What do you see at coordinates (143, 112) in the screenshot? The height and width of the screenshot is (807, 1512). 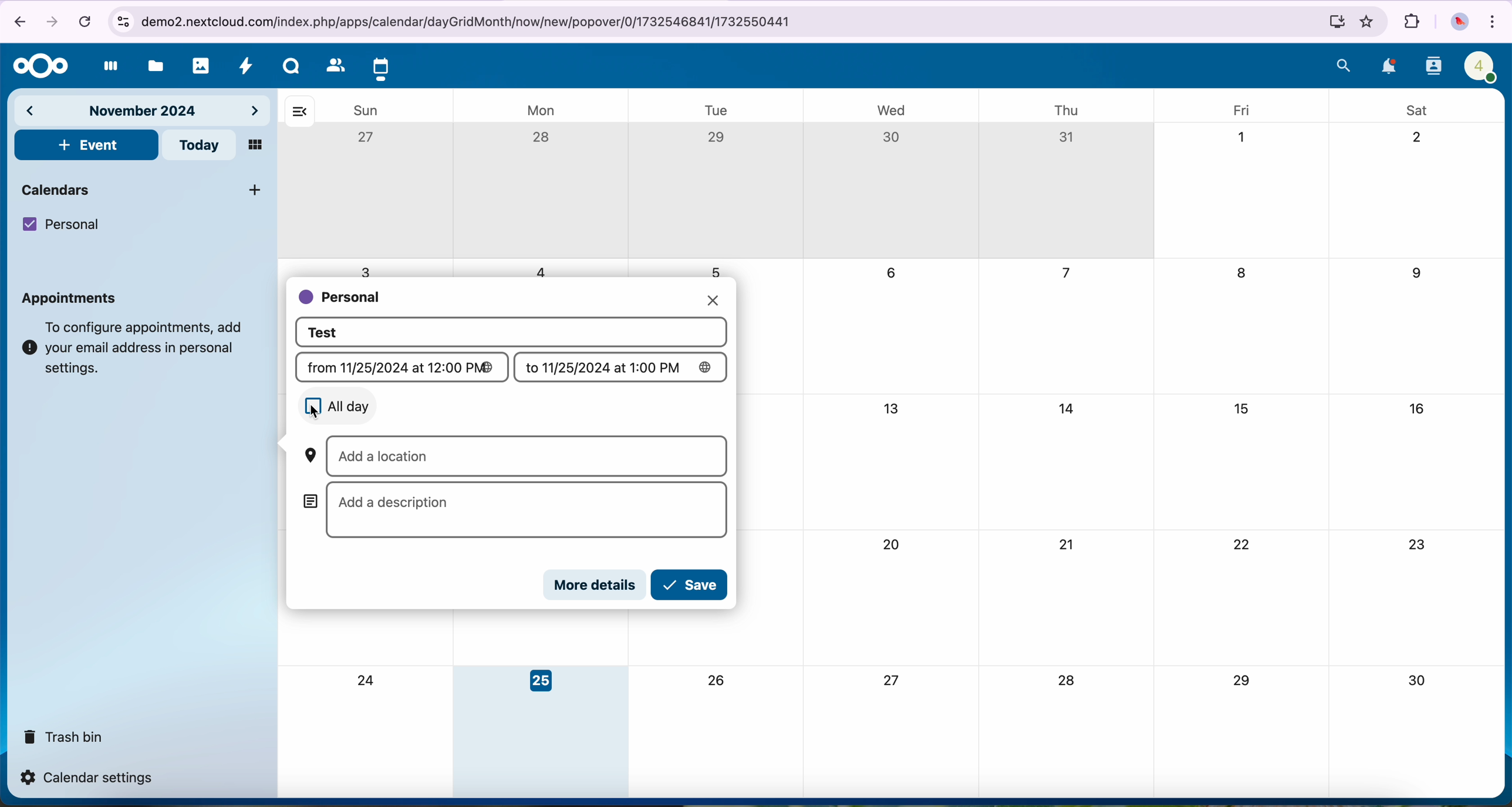 I see `november 2024` at bounding box center [143, 112].